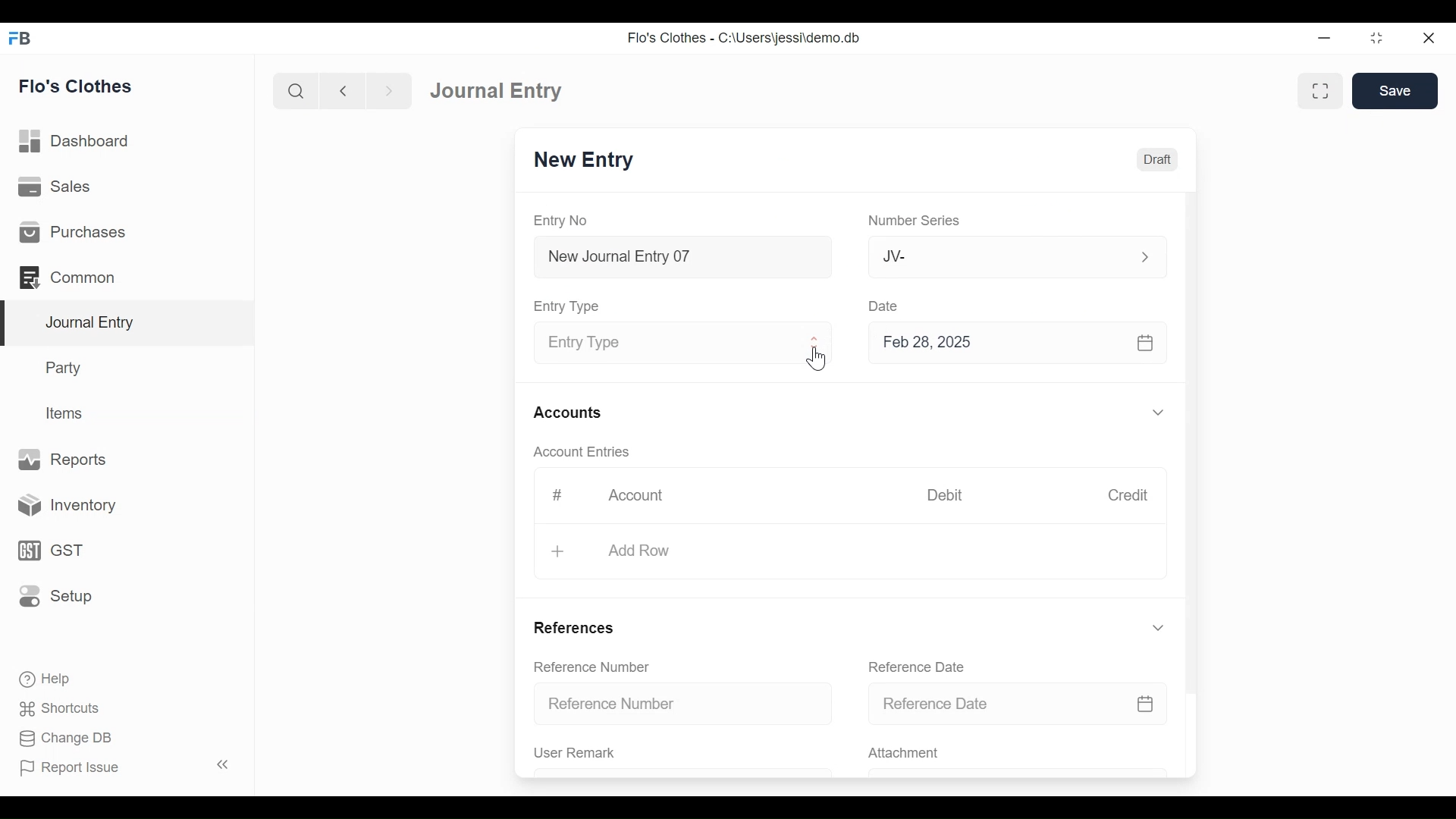  What do you see at coordinates (915, 221) in the screenshot?
I see `Number Series` at bounding box center [915, 221].